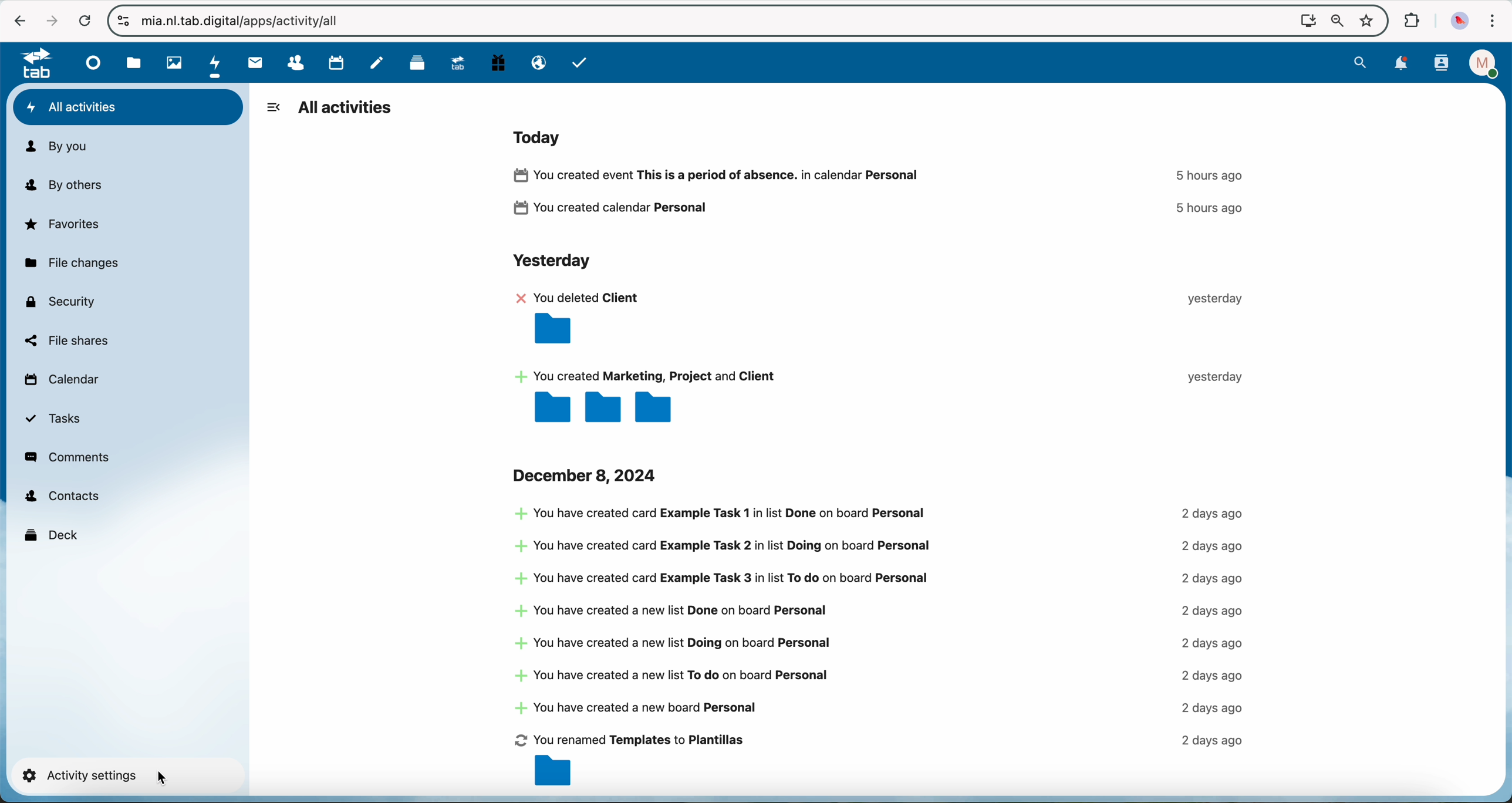 The width and height of the screenshot is (1512, 803). I want to click on url, so click(248, 22).